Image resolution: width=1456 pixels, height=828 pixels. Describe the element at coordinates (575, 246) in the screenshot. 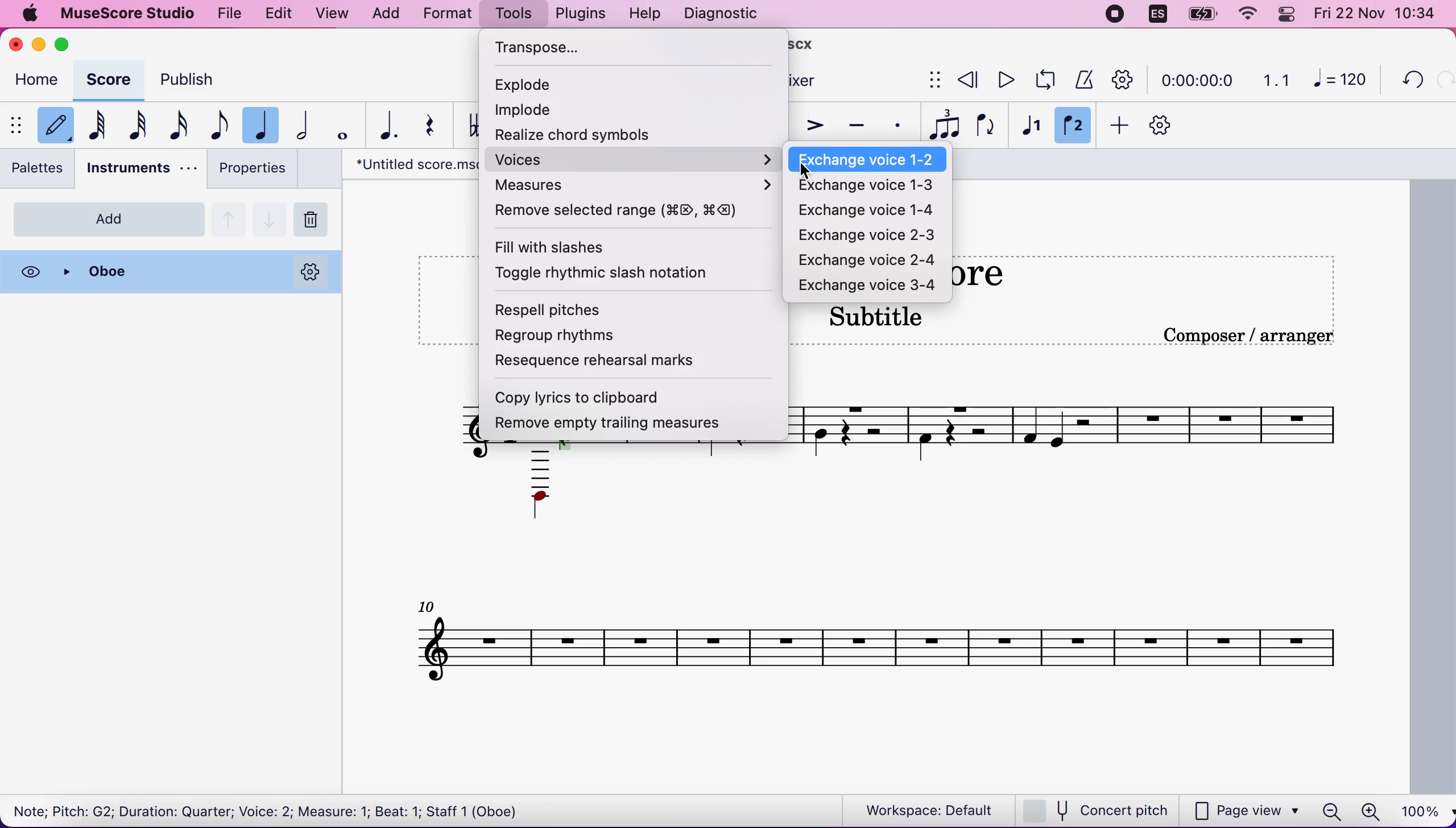

I see `fill with slashes` at that location.